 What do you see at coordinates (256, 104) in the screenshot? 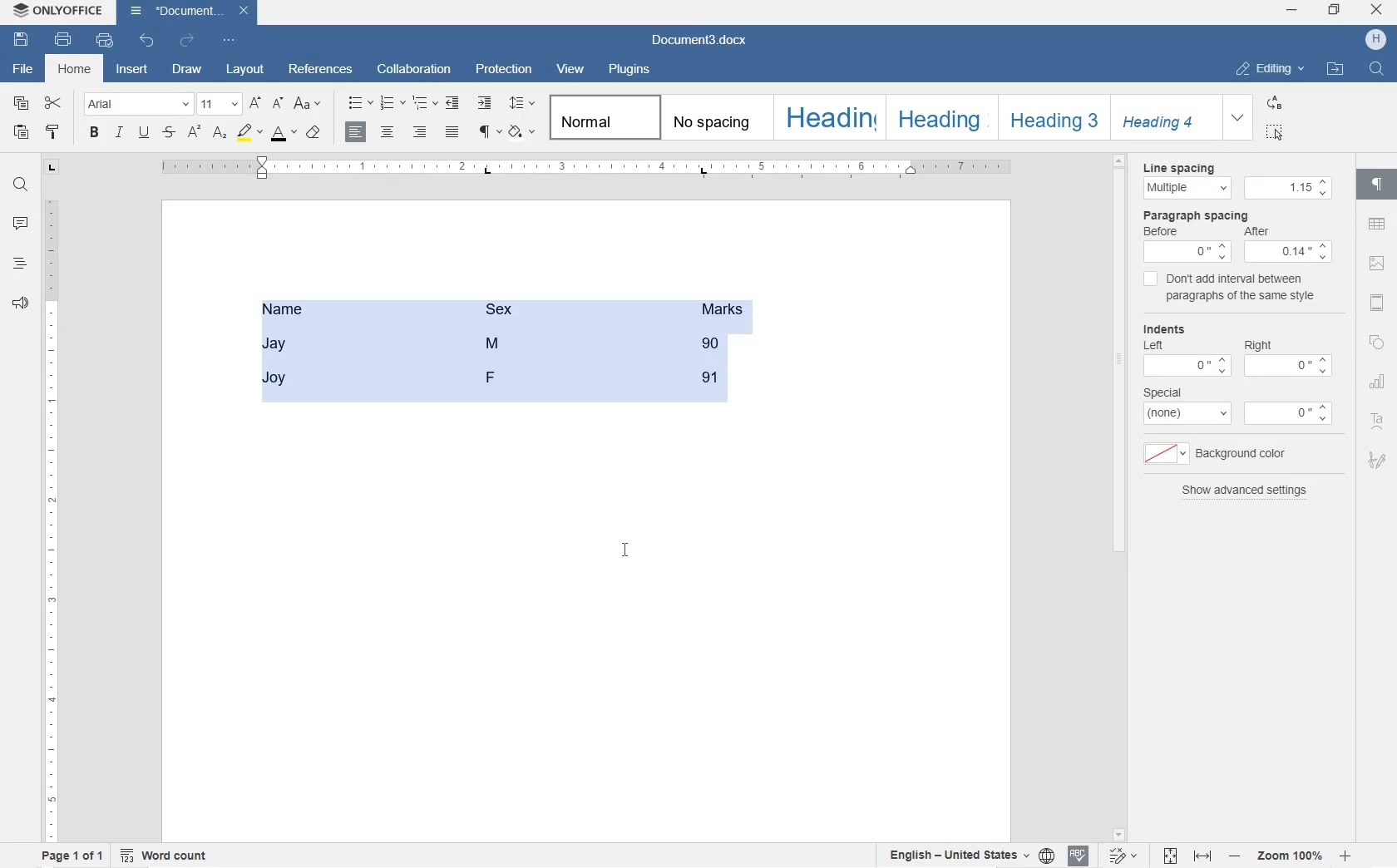
I see `INCREMENT FONT SIZE` at bounding box center [256, 104].